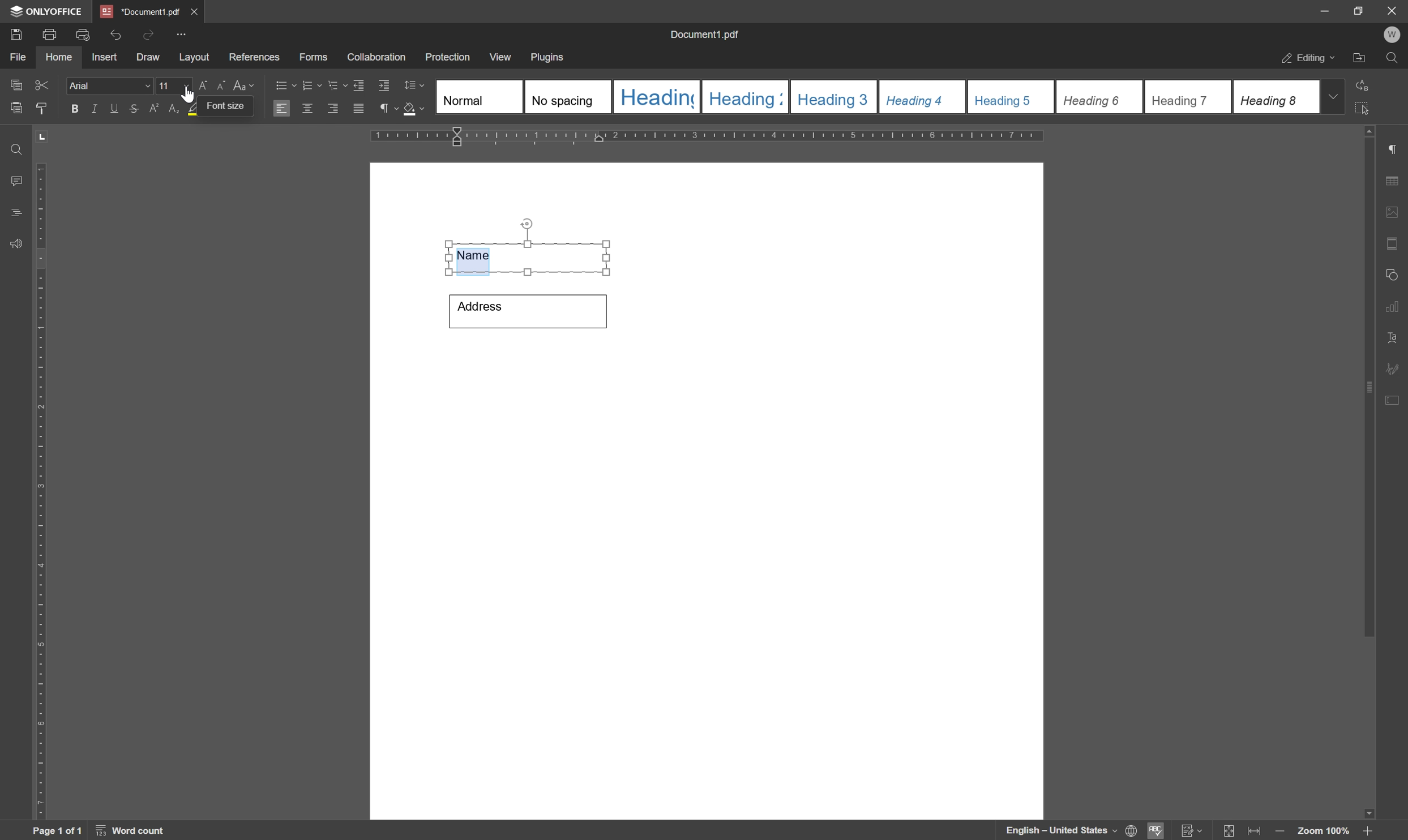  What do you see at coordinates (14, 181) in the screenshot?
I see `comments` at bounding box center [14, 181].